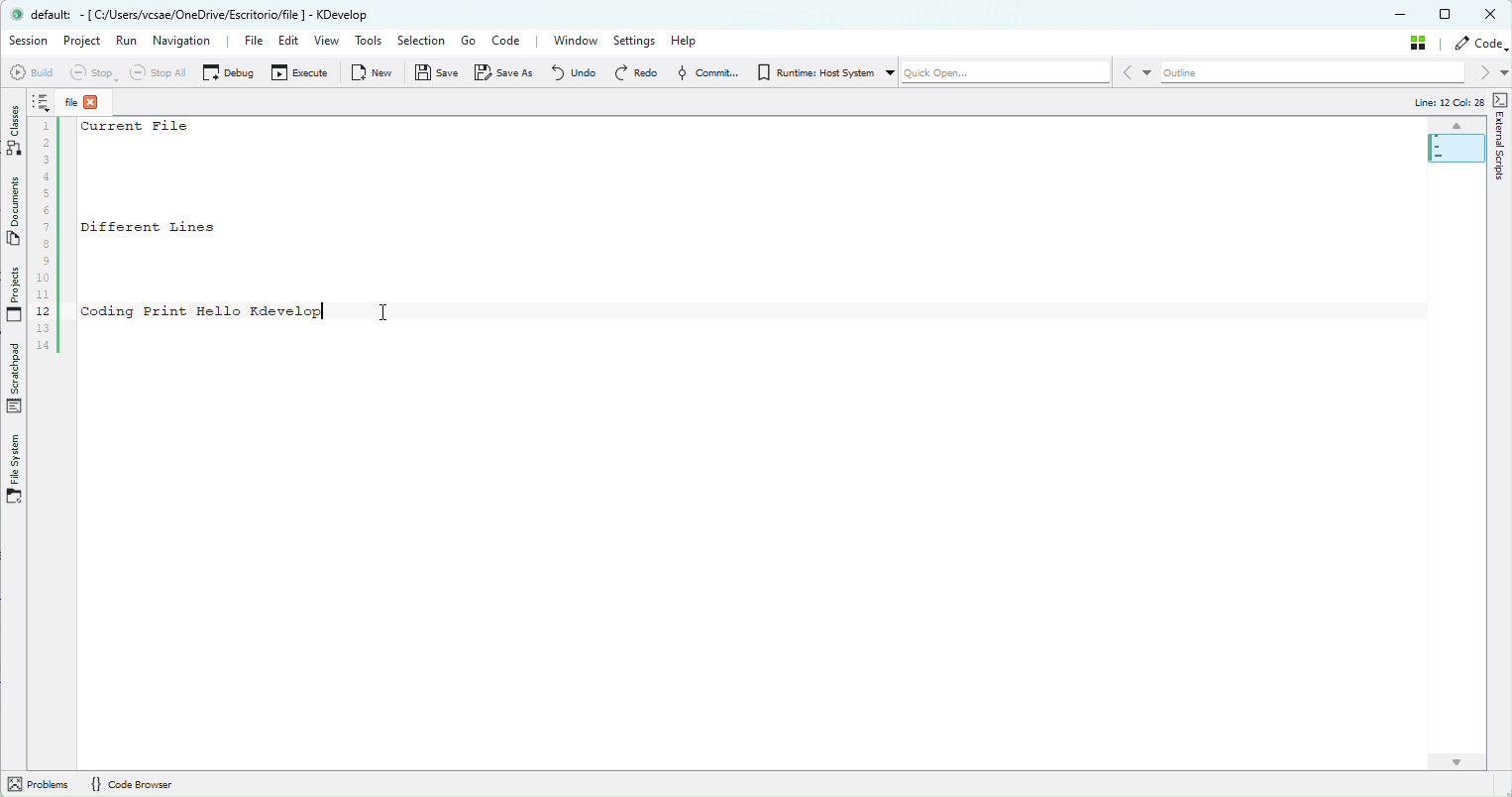 Image resolution: width=1512 pixels, height=797 pixels. Describe the element at coordinates (30, 41) in the screenshot. I see `Session` at that location.